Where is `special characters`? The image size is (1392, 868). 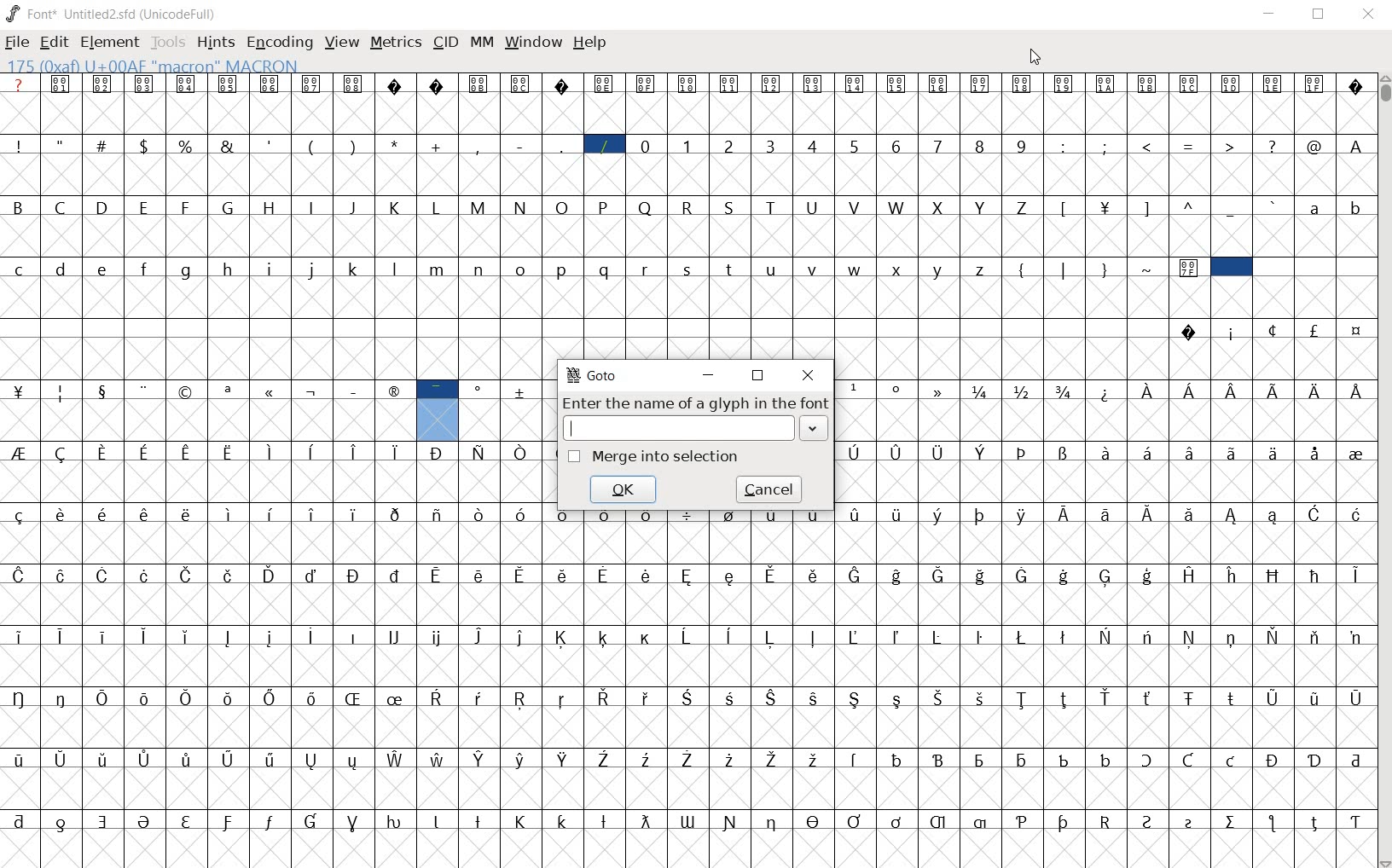 special characters is located at coordinates (299, 412).